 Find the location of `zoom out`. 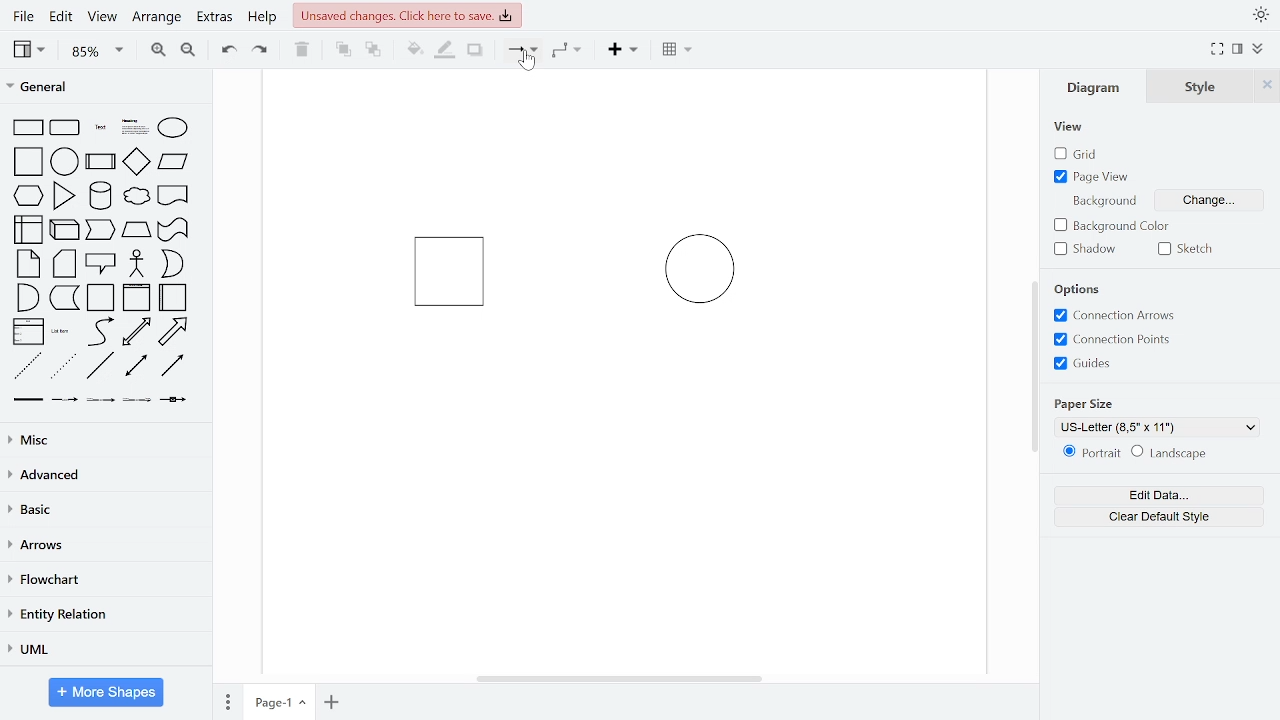

zoom out is located at coordinates (187, 49).